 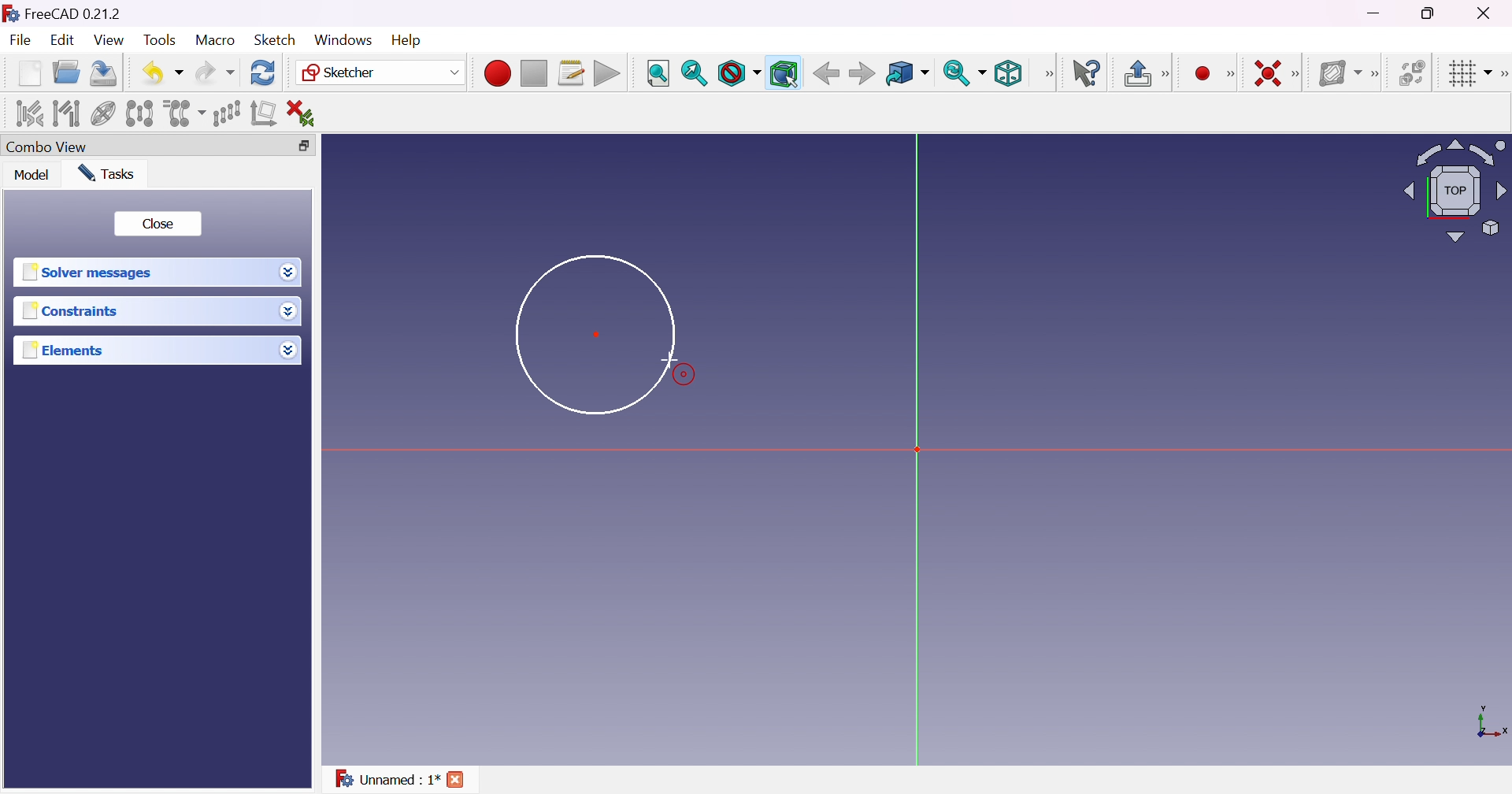 What do you see at coordinates (74, 311) in the screenshot?
I see `Constraints` at bounding box center [74, 311].